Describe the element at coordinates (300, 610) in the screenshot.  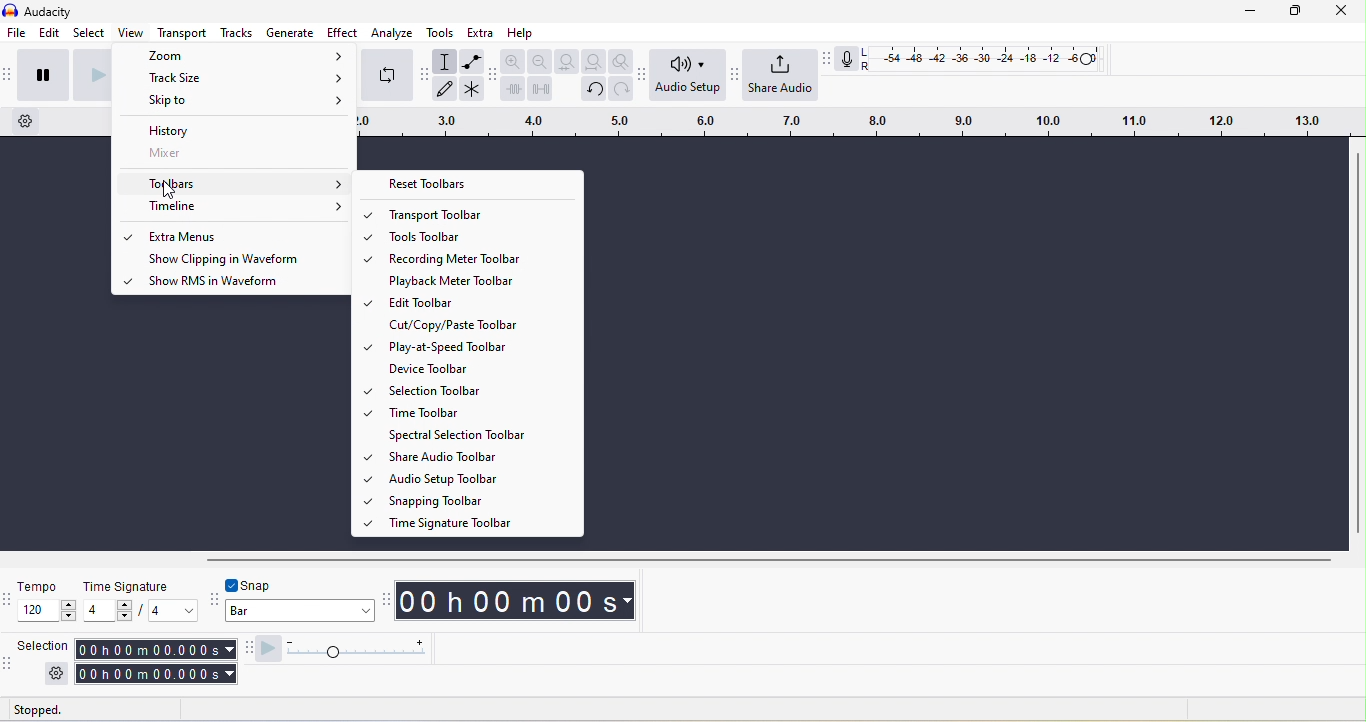
I see `select snapping` at that location.